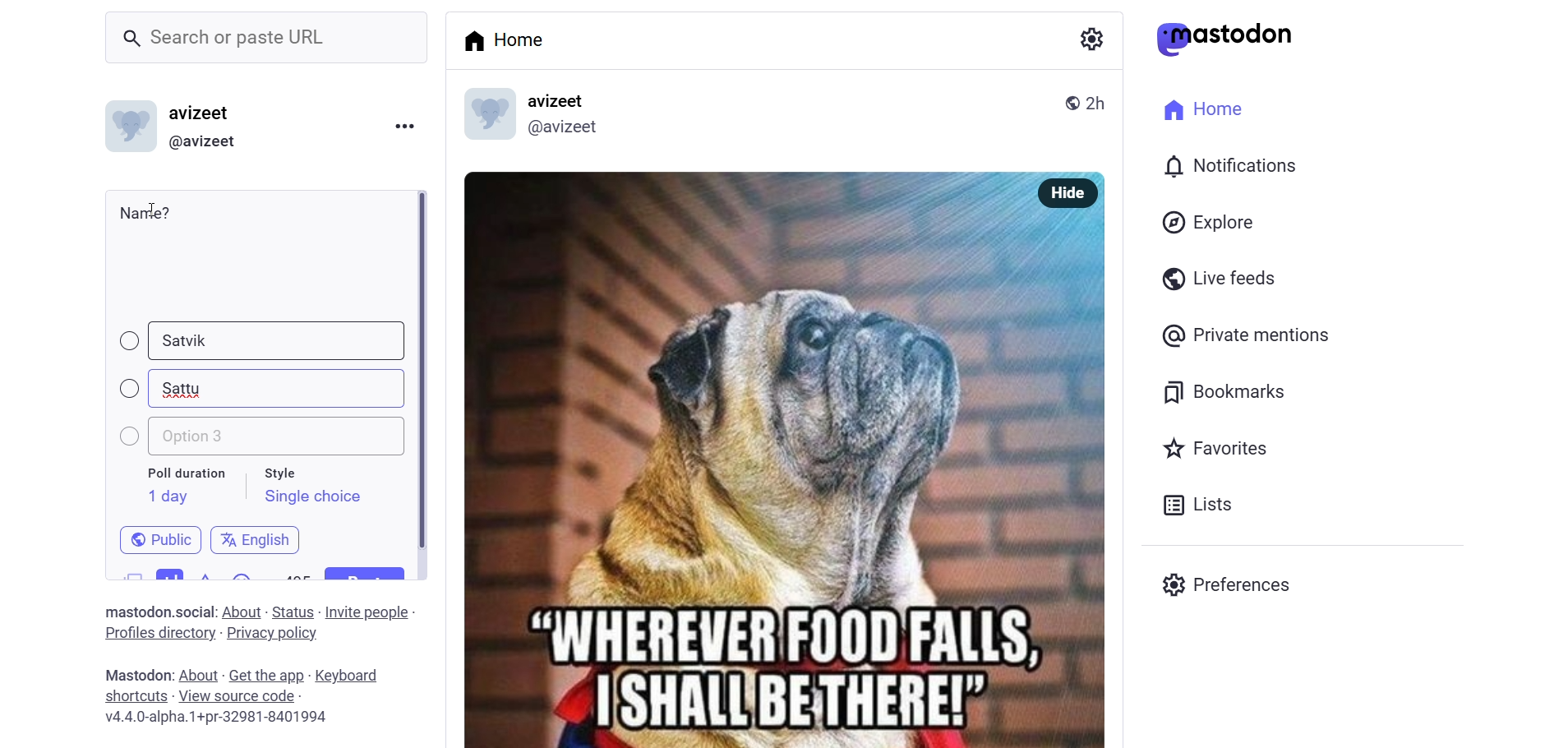 This screenshot has width=1568, height=748. Describe the element at coordinates (256, 534) in the screenshot. I see `english` at that location.